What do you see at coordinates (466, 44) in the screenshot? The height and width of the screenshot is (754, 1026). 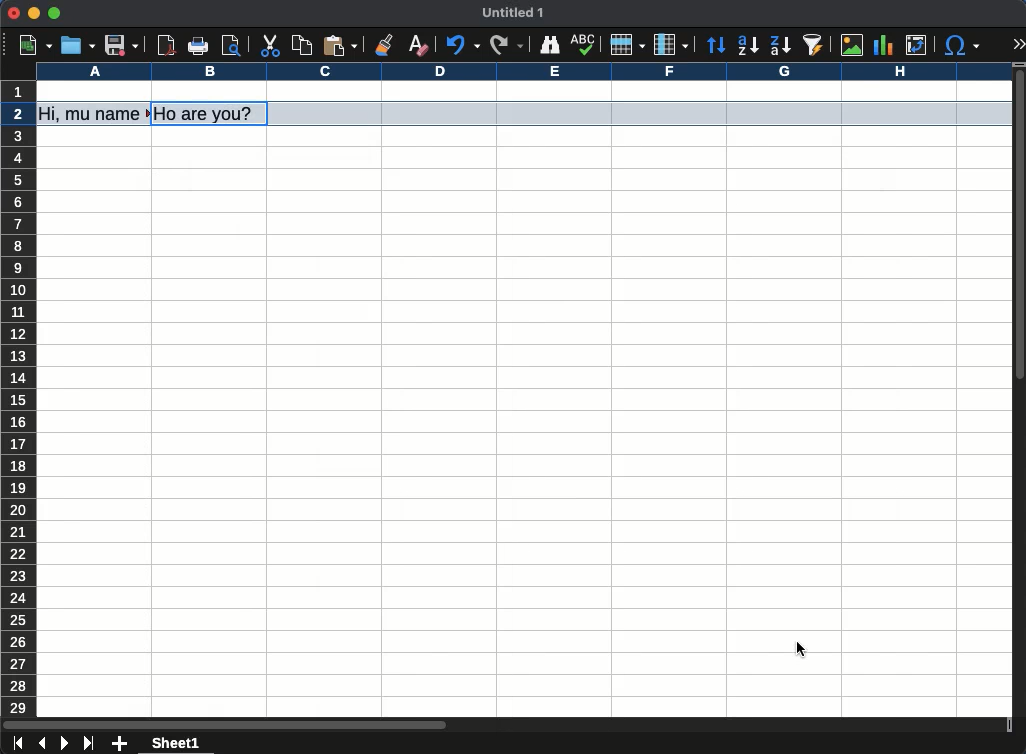 I see `undo` at bounding box center [466, 44].